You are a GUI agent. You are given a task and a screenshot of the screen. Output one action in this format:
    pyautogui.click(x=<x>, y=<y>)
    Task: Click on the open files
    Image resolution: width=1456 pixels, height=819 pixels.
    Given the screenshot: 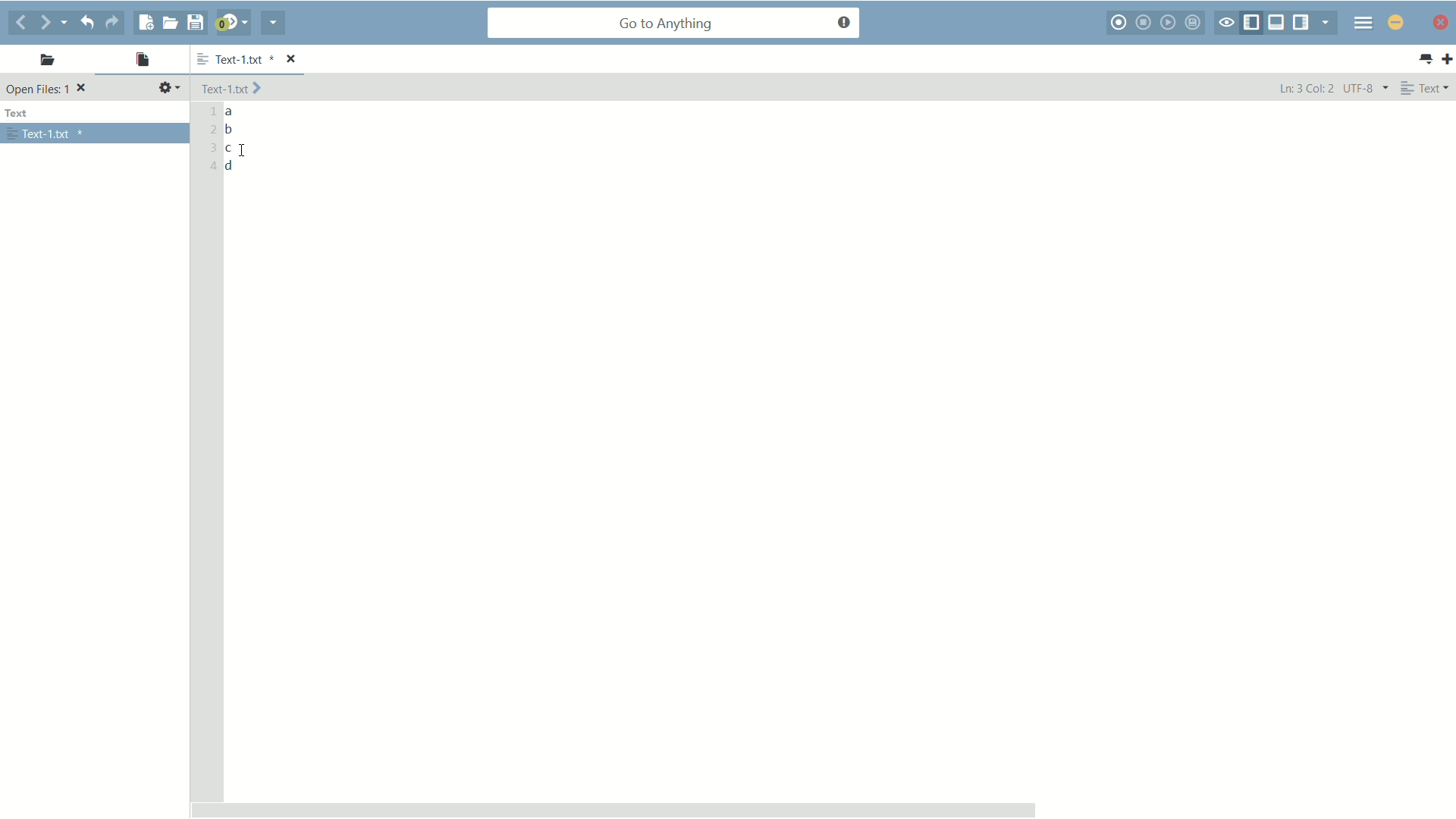 What is the action you would take?
    pyautogui.click(x=142, y=60)
    